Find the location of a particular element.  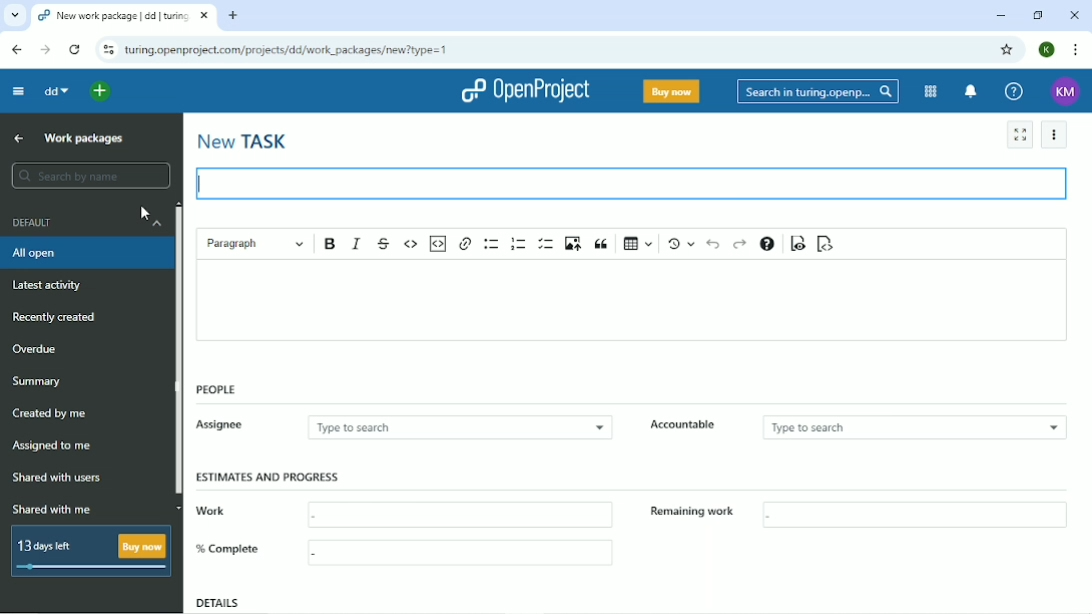

Close is located at coordinates (1076, 15).